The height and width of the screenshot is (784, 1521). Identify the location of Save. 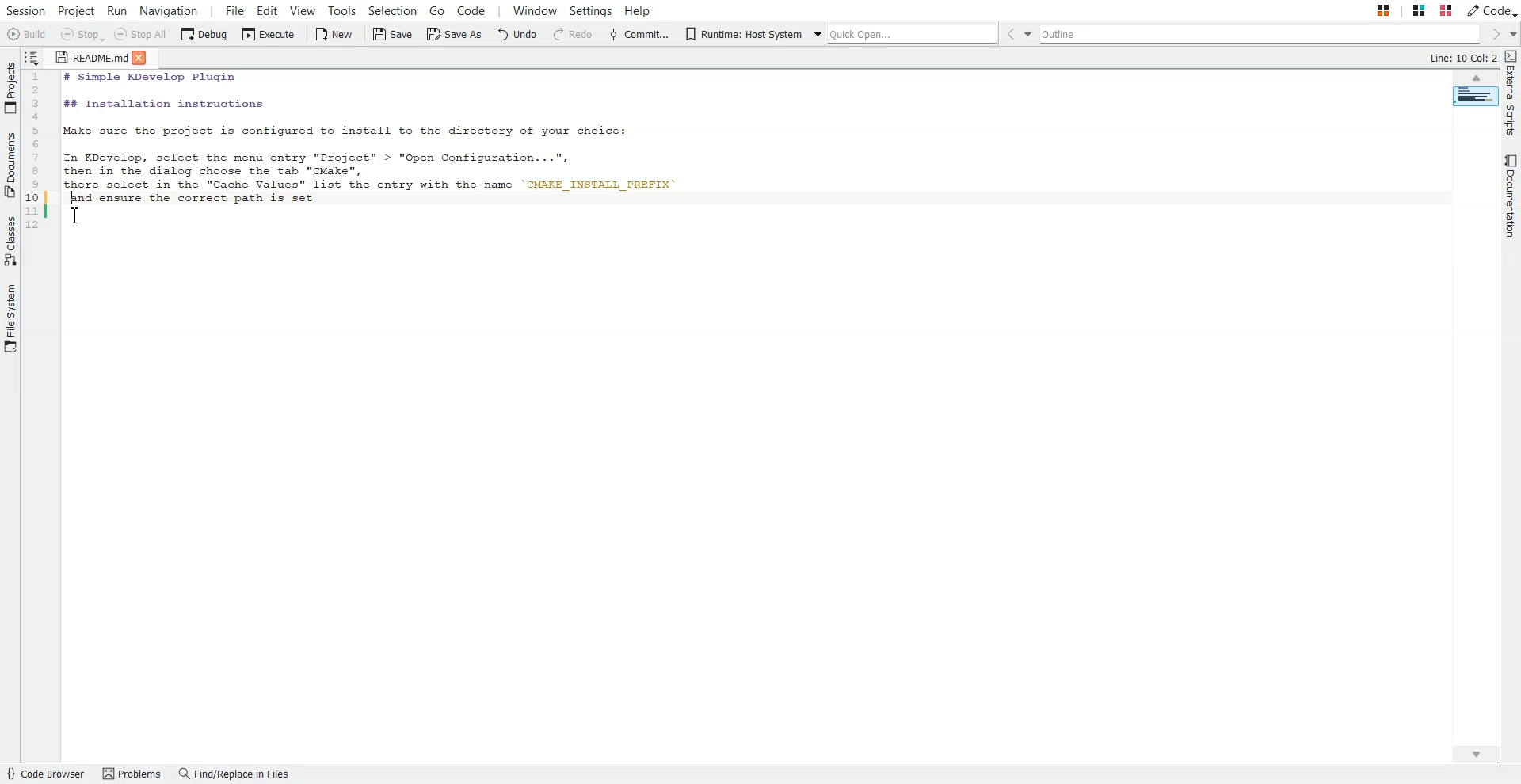
(393, 35).